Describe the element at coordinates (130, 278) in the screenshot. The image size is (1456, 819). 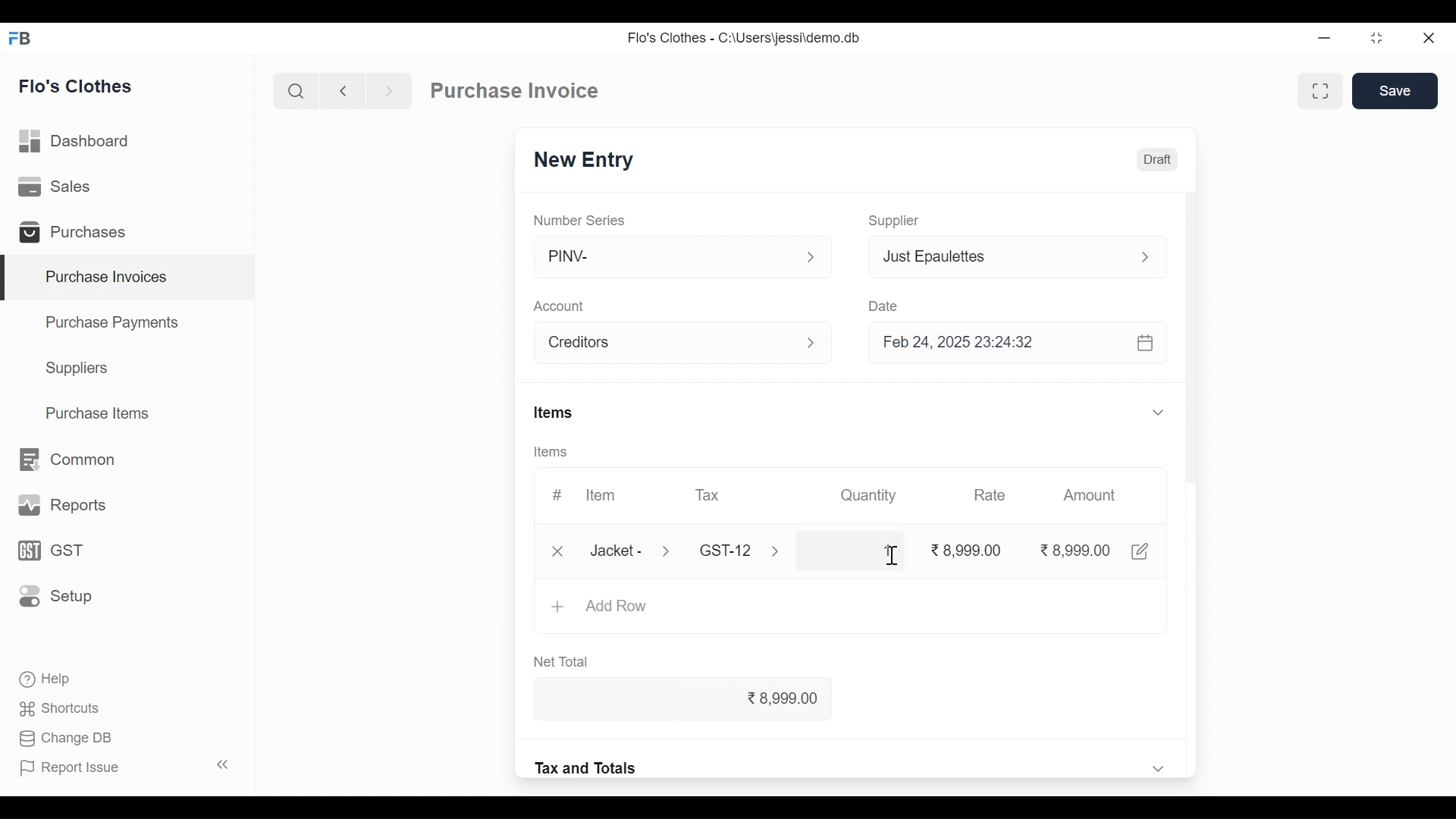
I see `Purchase Invoices` at that location.